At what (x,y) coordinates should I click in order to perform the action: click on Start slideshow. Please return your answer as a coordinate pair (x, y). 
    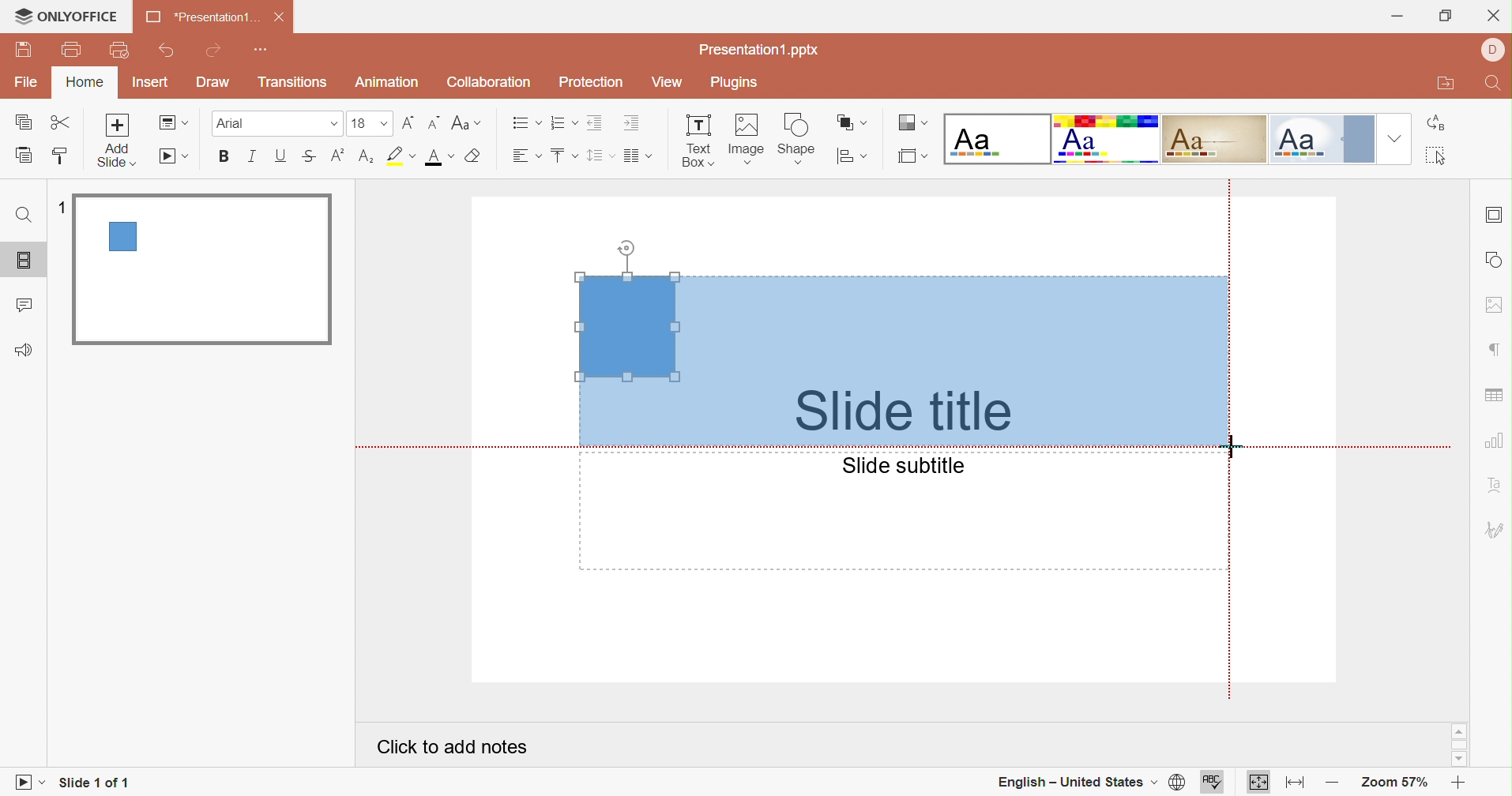
    Looking at the image, I should click on (175, 157).